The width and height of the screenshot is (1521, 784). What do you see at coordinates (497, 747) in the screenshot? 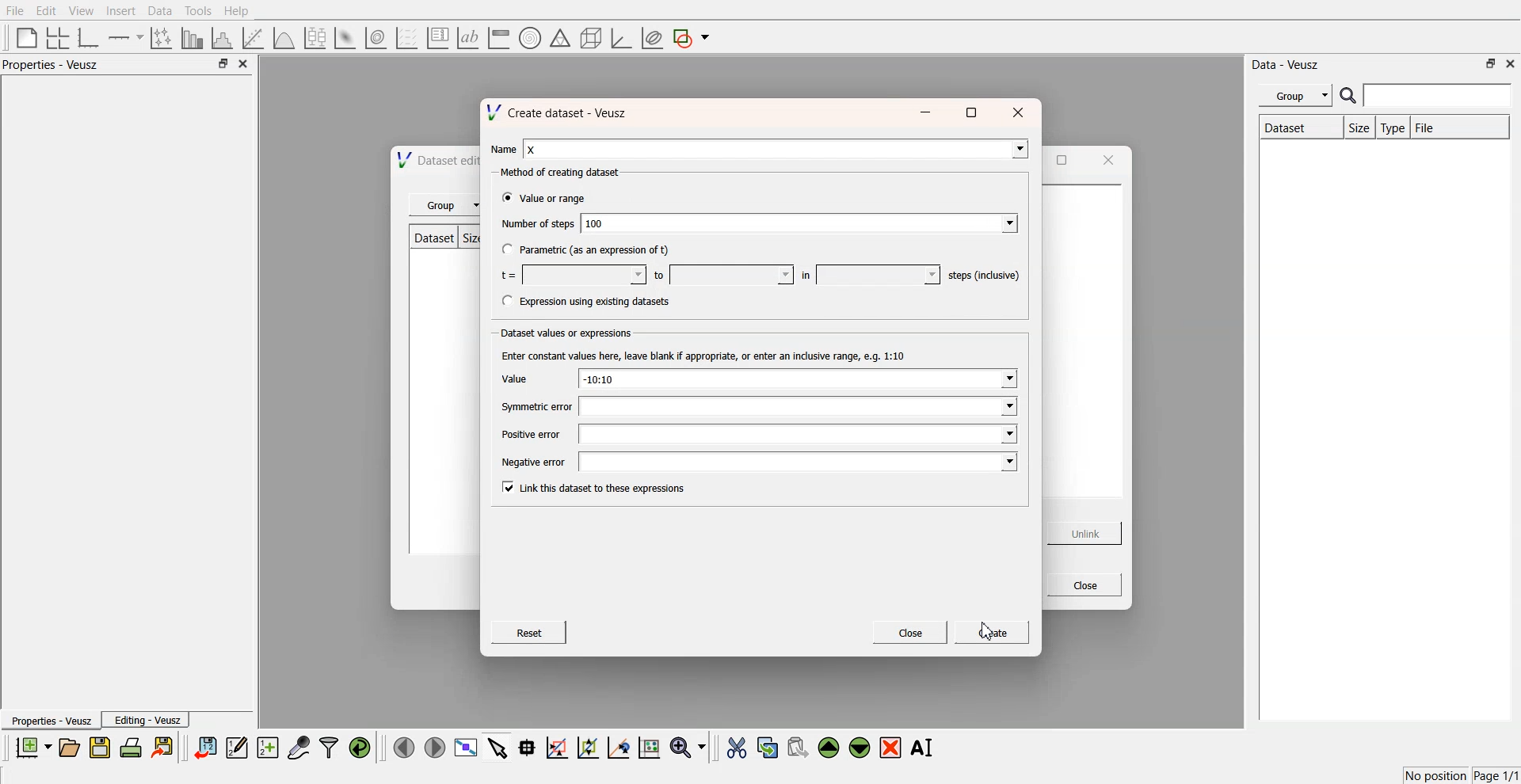
I see `select items` at bounding box center [497, 747].